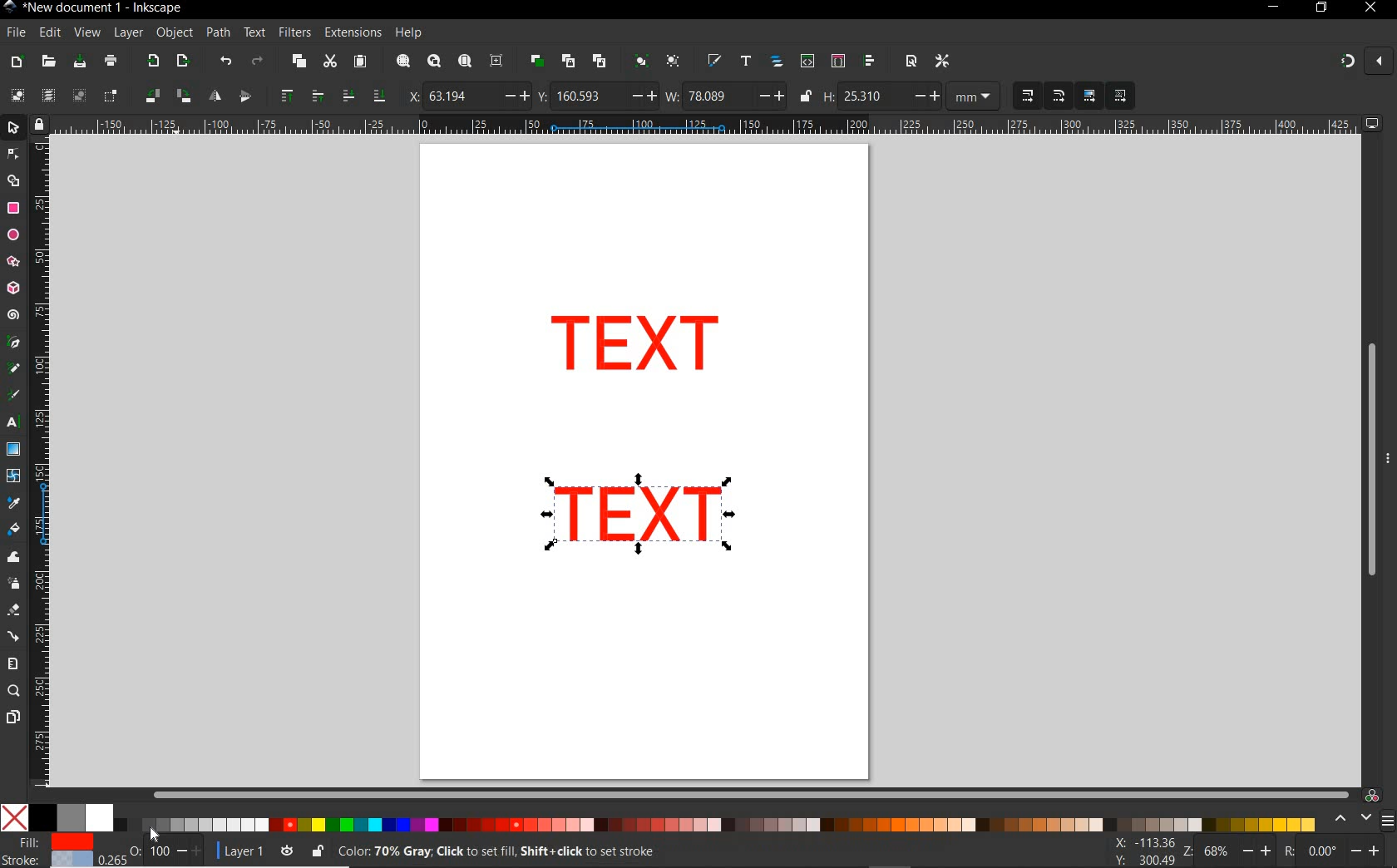 Image resolution: width=1397 pixels, height=868 pixels. I want to click on open document properties, so click(911, 61).